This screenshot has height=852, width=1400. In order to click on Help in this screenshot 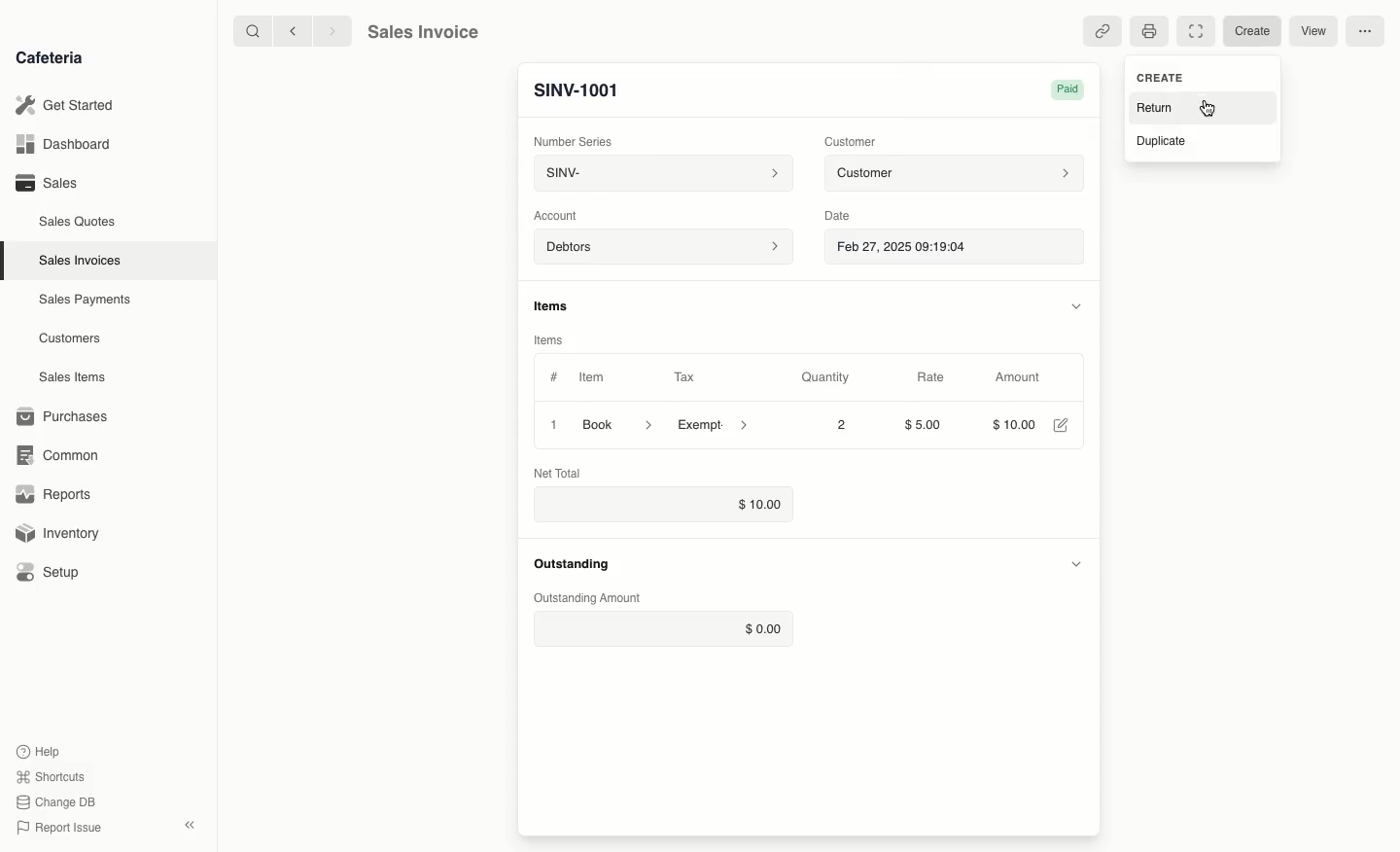, I will do `click(40, 749)`.